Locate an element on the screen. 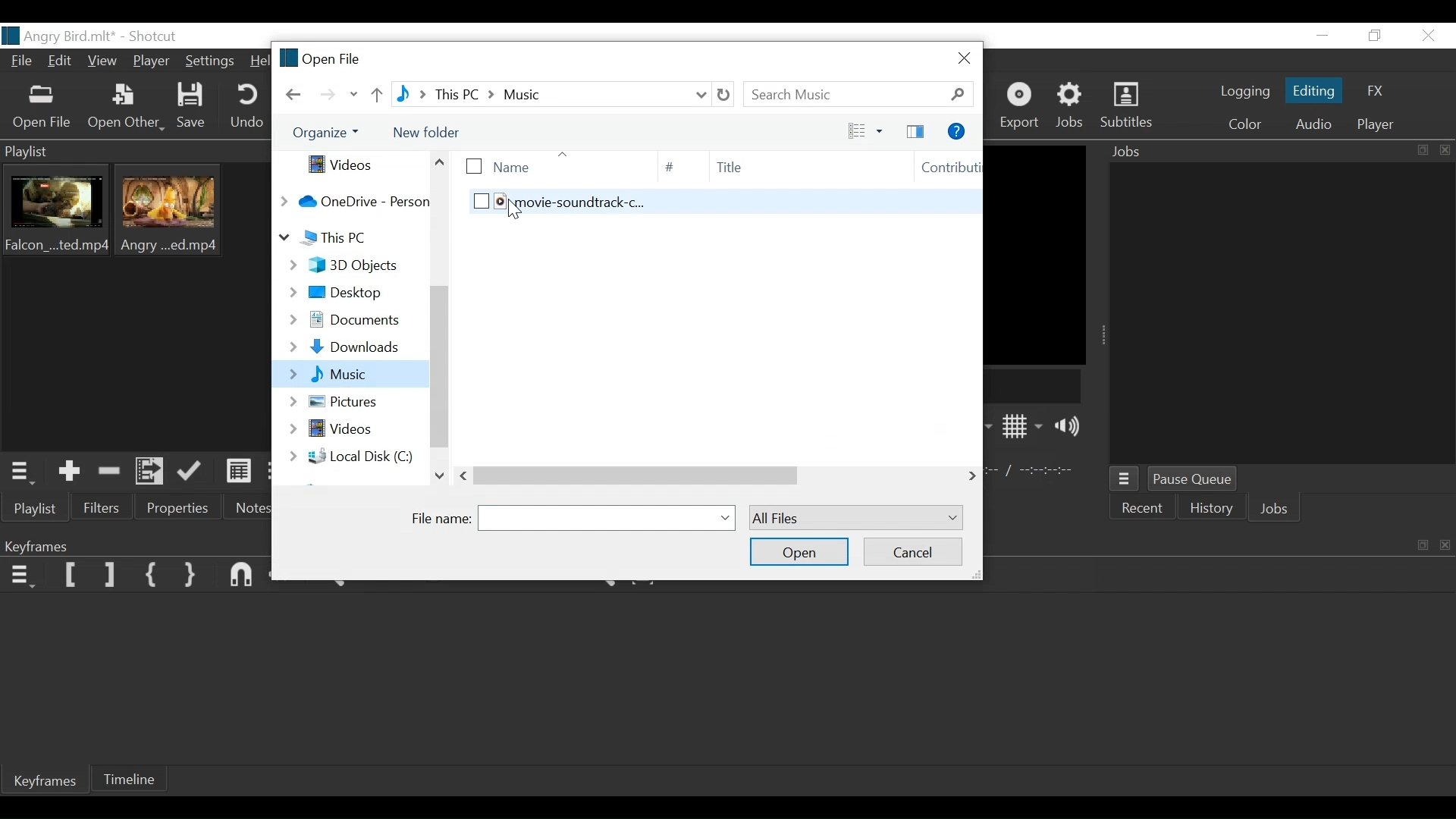 This screenshot has height=819, width=1456. Desktop is located at coordinates (347, 292).